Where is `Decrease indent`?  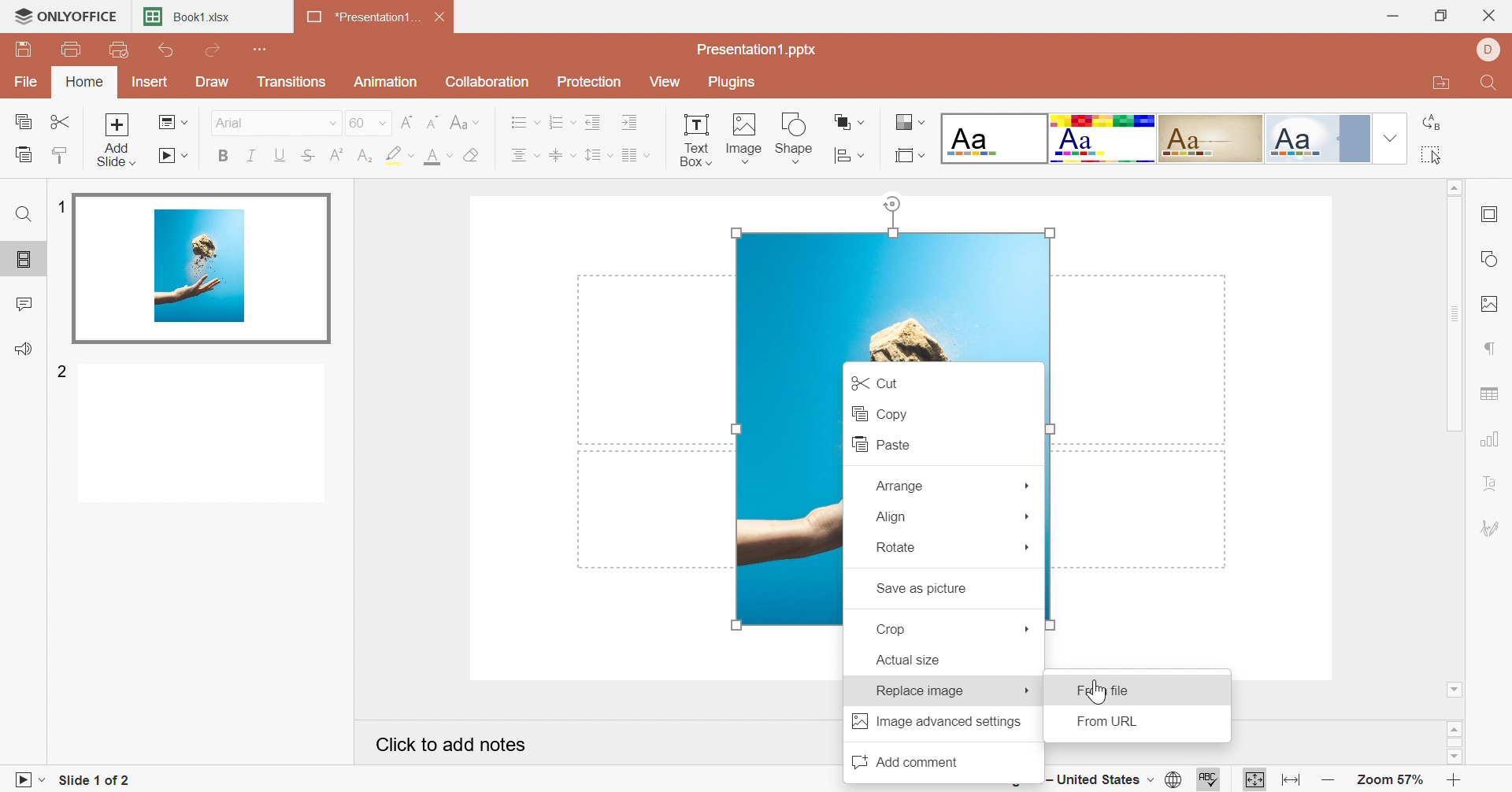
Decrease indent is located at coordinates (595, 120).